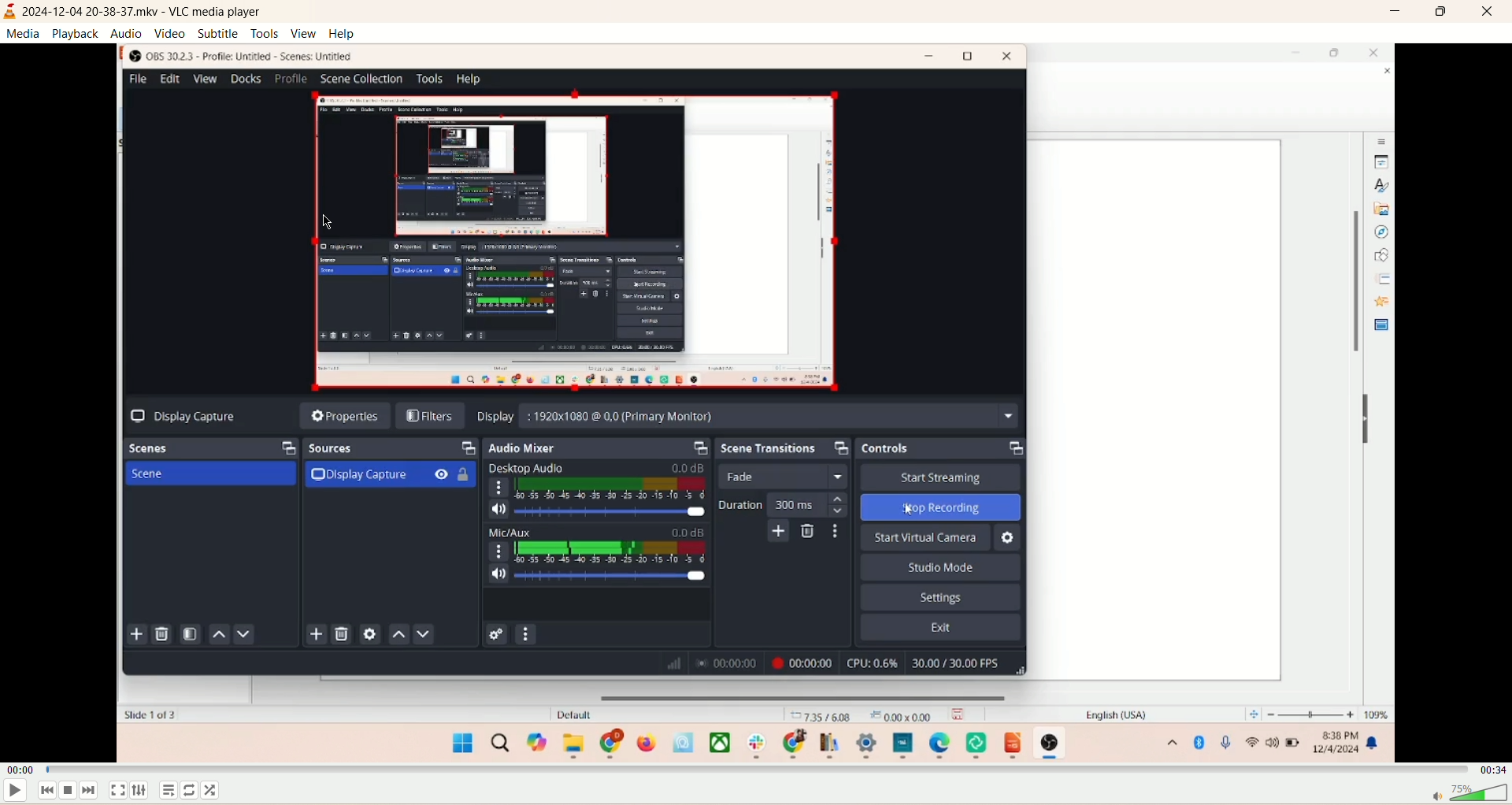  Describe the element at coordinates (170, 34) in the screenshot. I see `video` at that location.